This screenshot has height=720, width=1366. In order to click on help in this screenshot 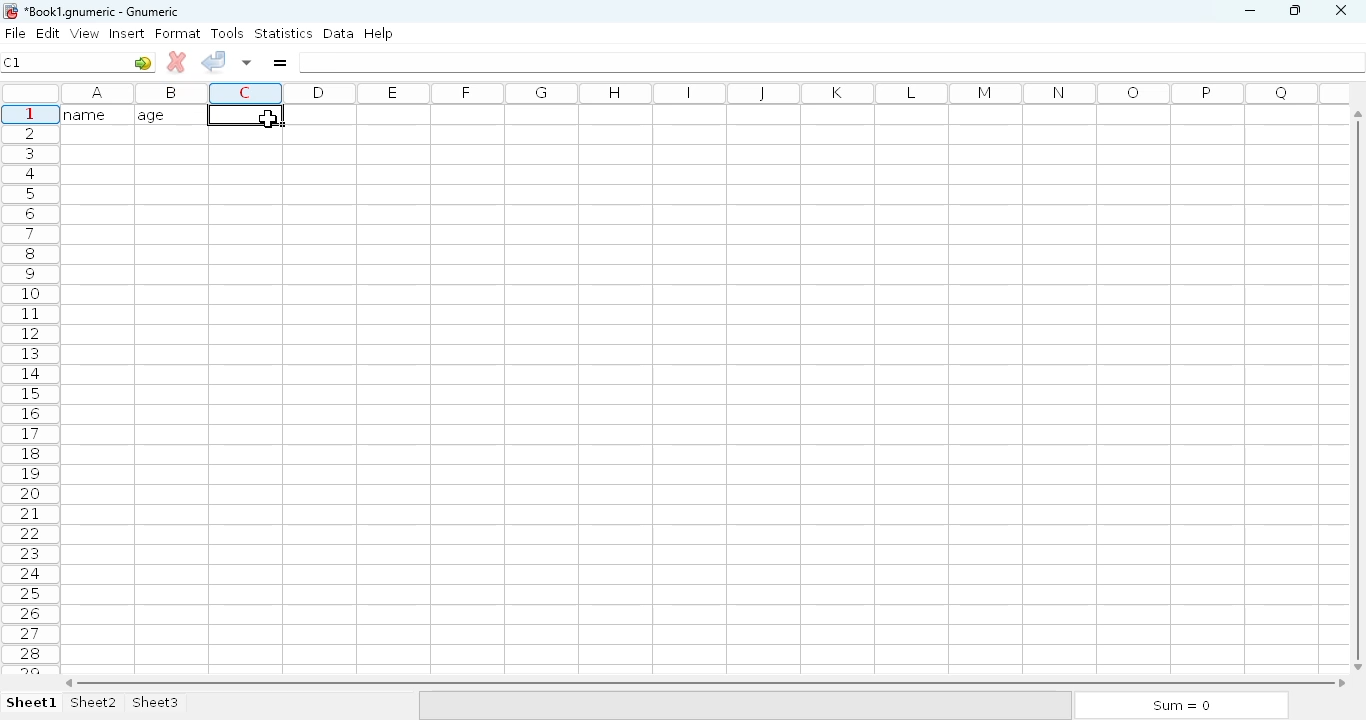, I will do `click(378, 34)`.